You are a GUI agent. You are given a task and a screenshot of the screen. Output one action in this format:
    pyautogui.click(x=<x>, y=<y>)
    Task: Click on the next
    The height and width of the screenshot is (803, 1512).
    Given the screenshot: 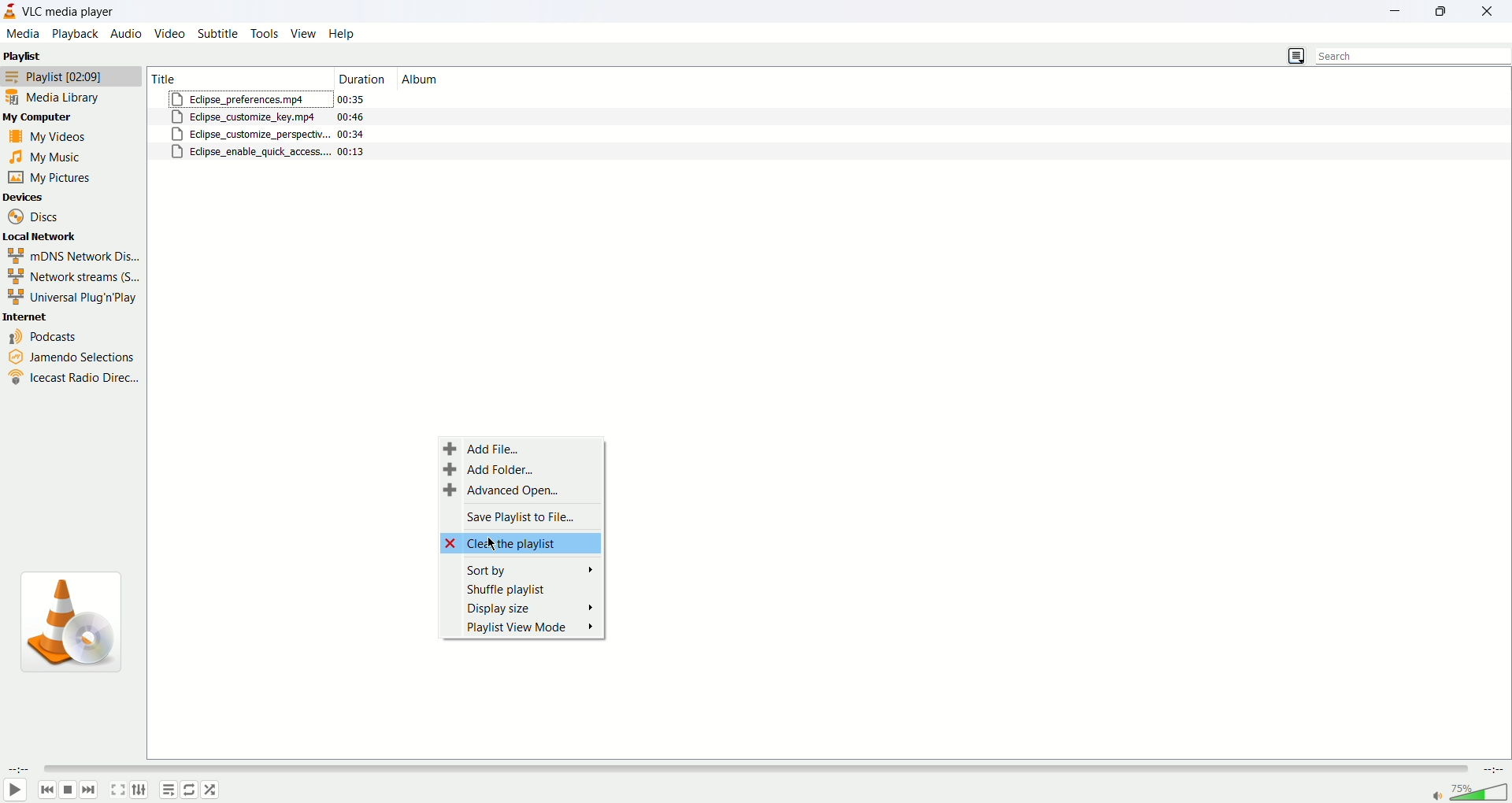 What is the action you would take?
    pyautogui.click(x=88, y=790)
    